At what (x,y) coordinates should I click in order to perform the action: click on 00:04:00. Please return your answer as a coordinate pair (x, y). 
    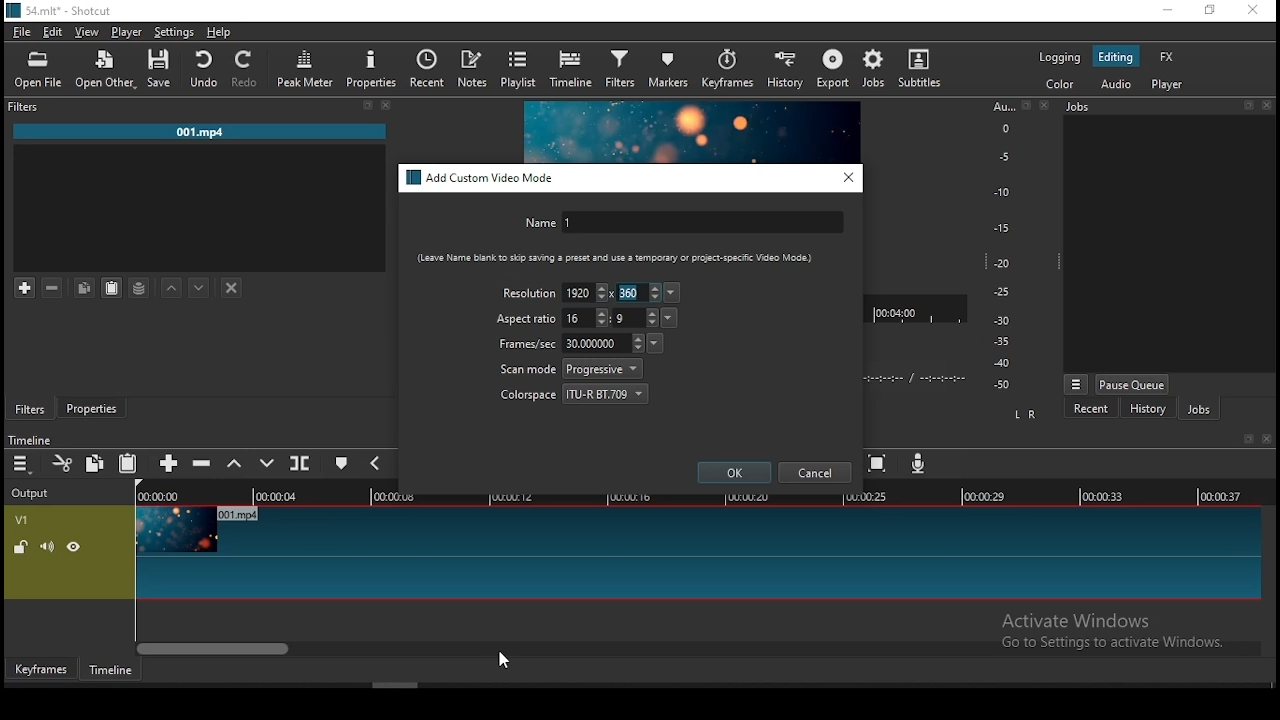
    Looking at the image, I should click on (898, 309).